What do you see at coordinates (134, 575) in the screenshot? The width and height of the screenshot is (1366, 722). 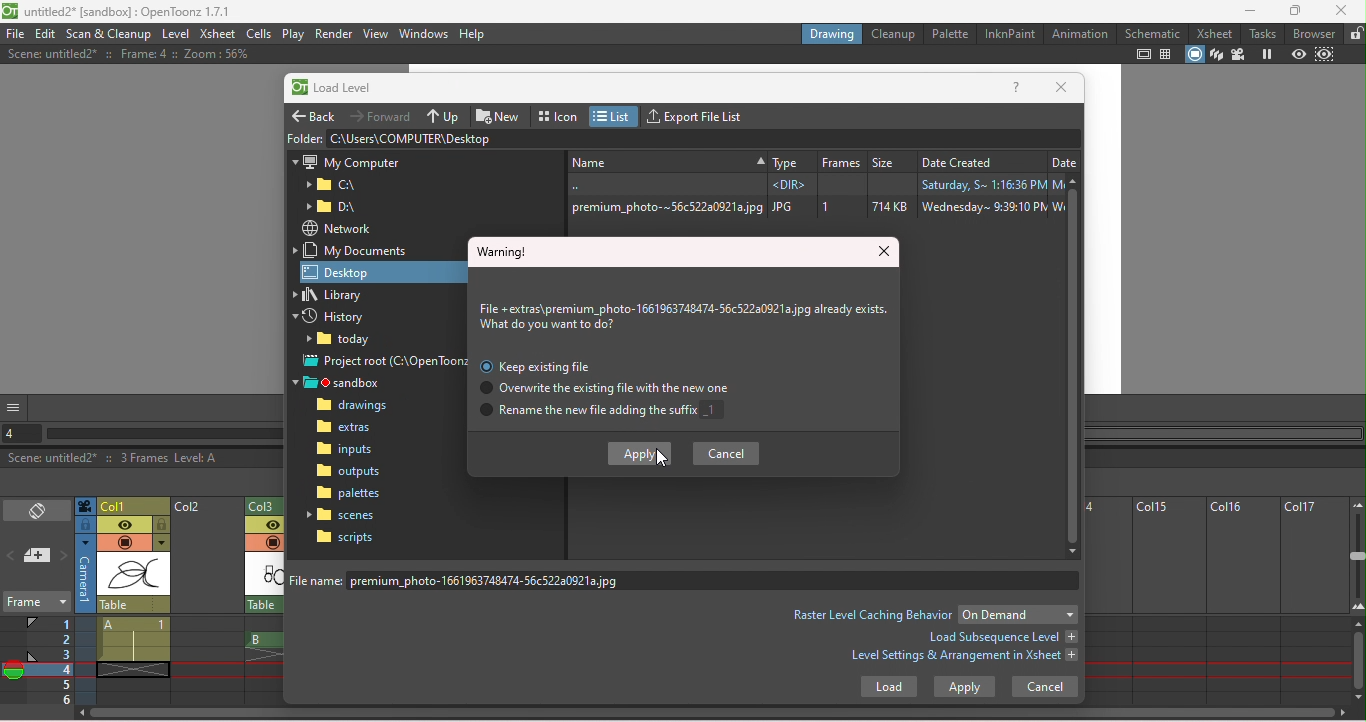 I see `scene` at bounding box center [134, 575].